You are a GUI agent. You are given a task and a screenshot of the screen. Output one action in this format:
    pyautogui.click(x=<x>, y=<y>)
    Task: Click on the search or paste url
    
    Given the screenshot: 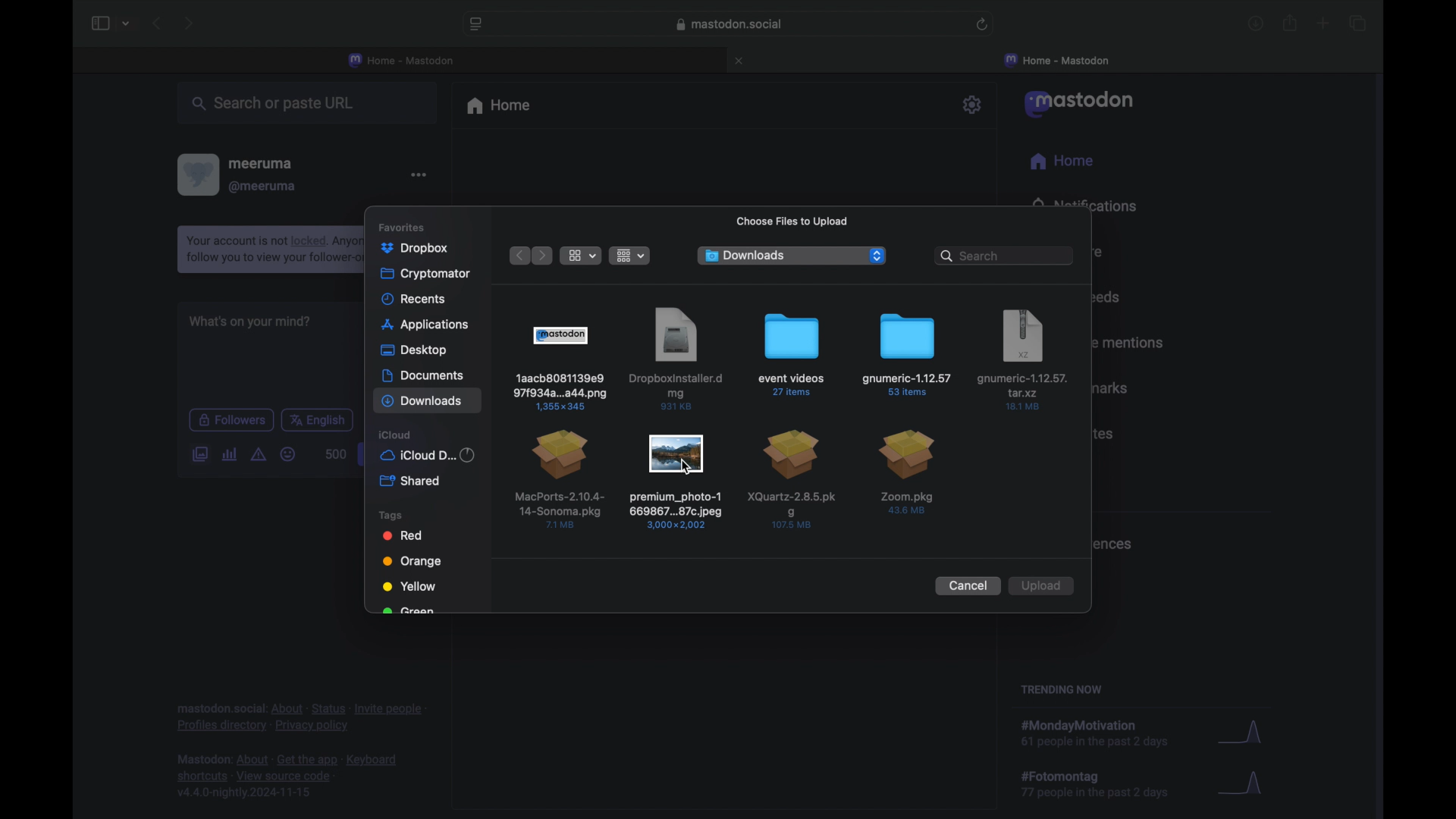 What is the action you would take?
    pyautogui.click(x=278, y=105)
    